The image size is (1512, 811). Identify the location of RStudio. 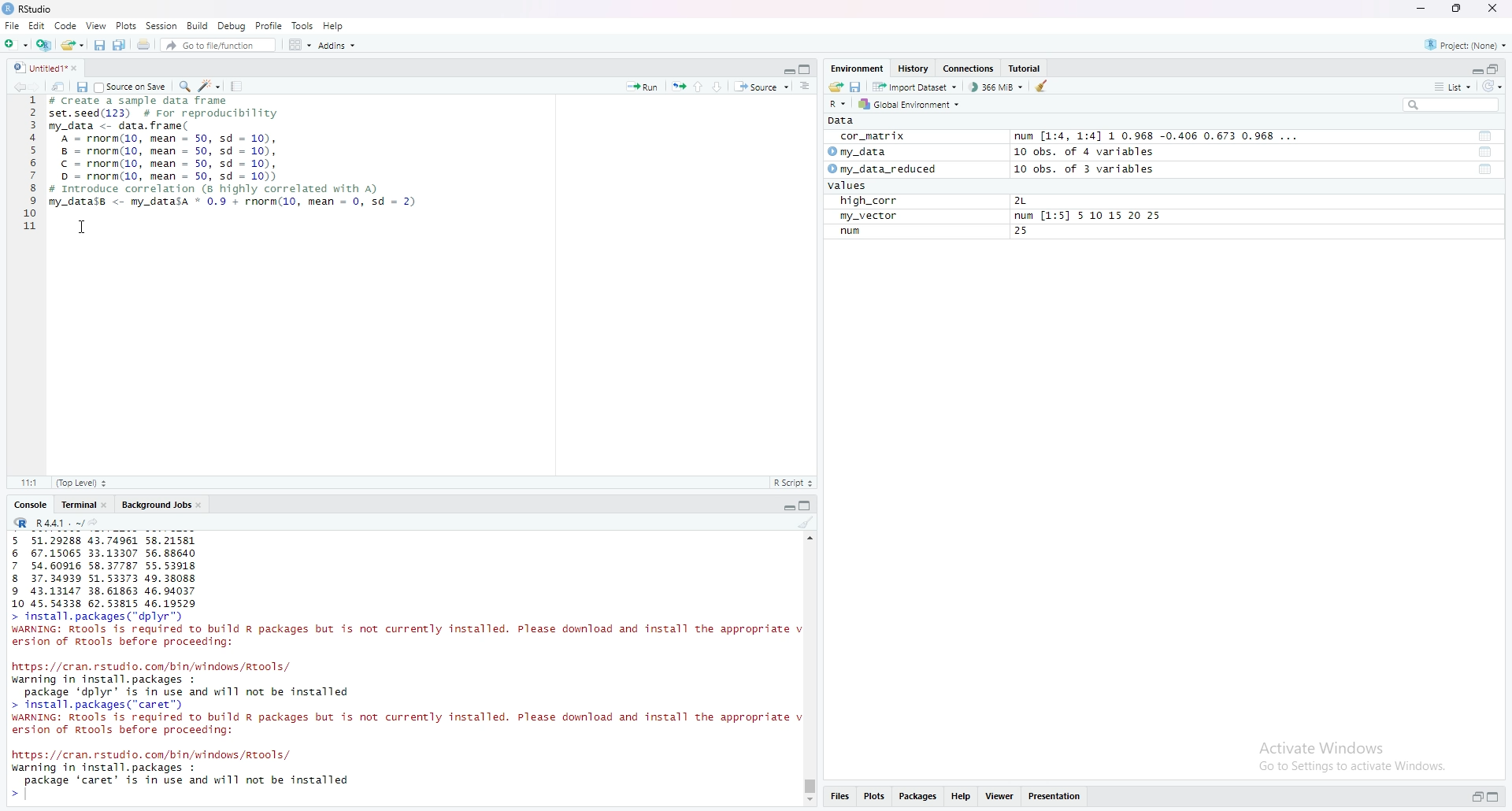
(38, 9).